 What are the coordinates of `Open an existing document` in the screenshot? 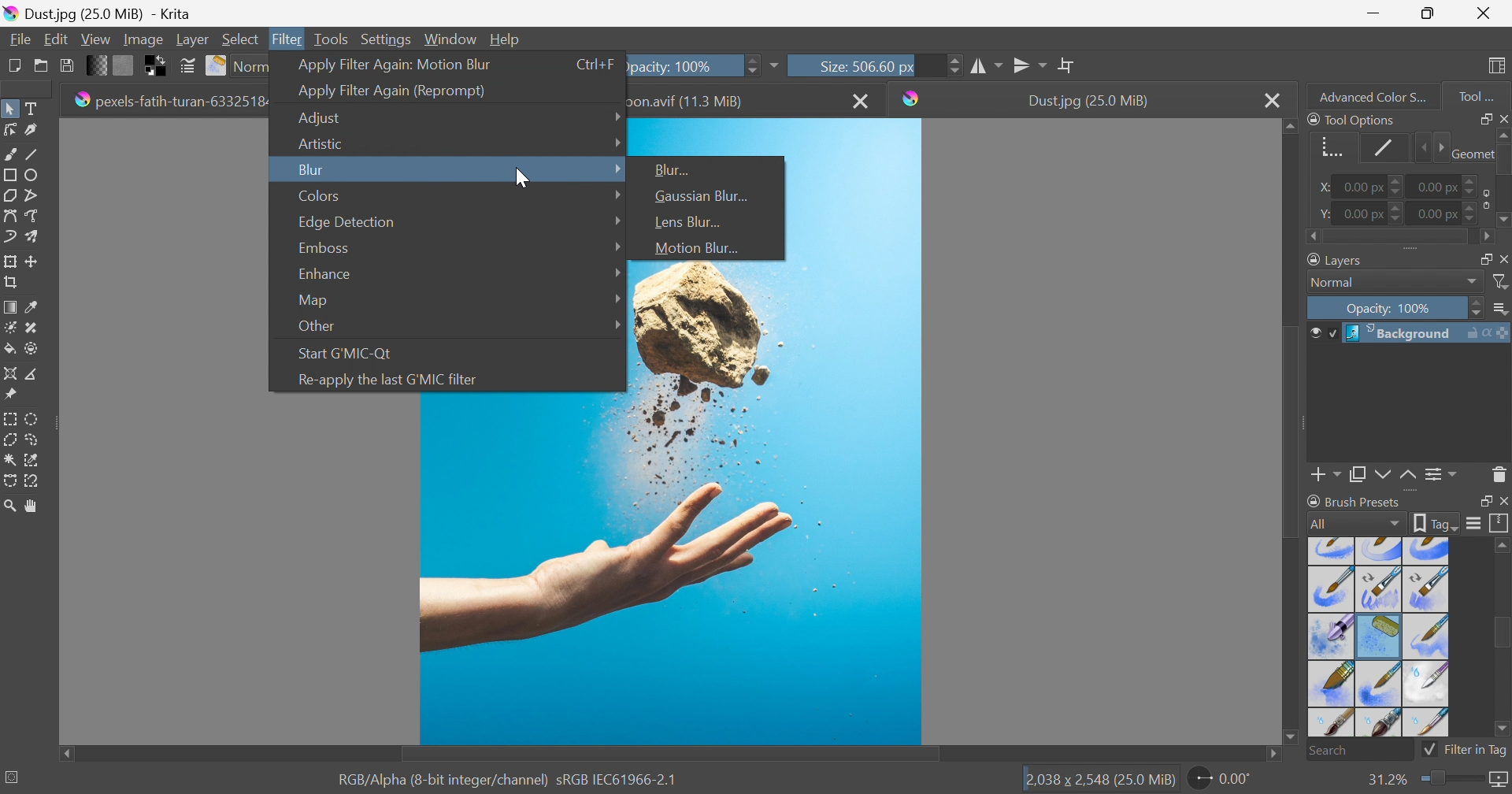 It's located at (42, 66).